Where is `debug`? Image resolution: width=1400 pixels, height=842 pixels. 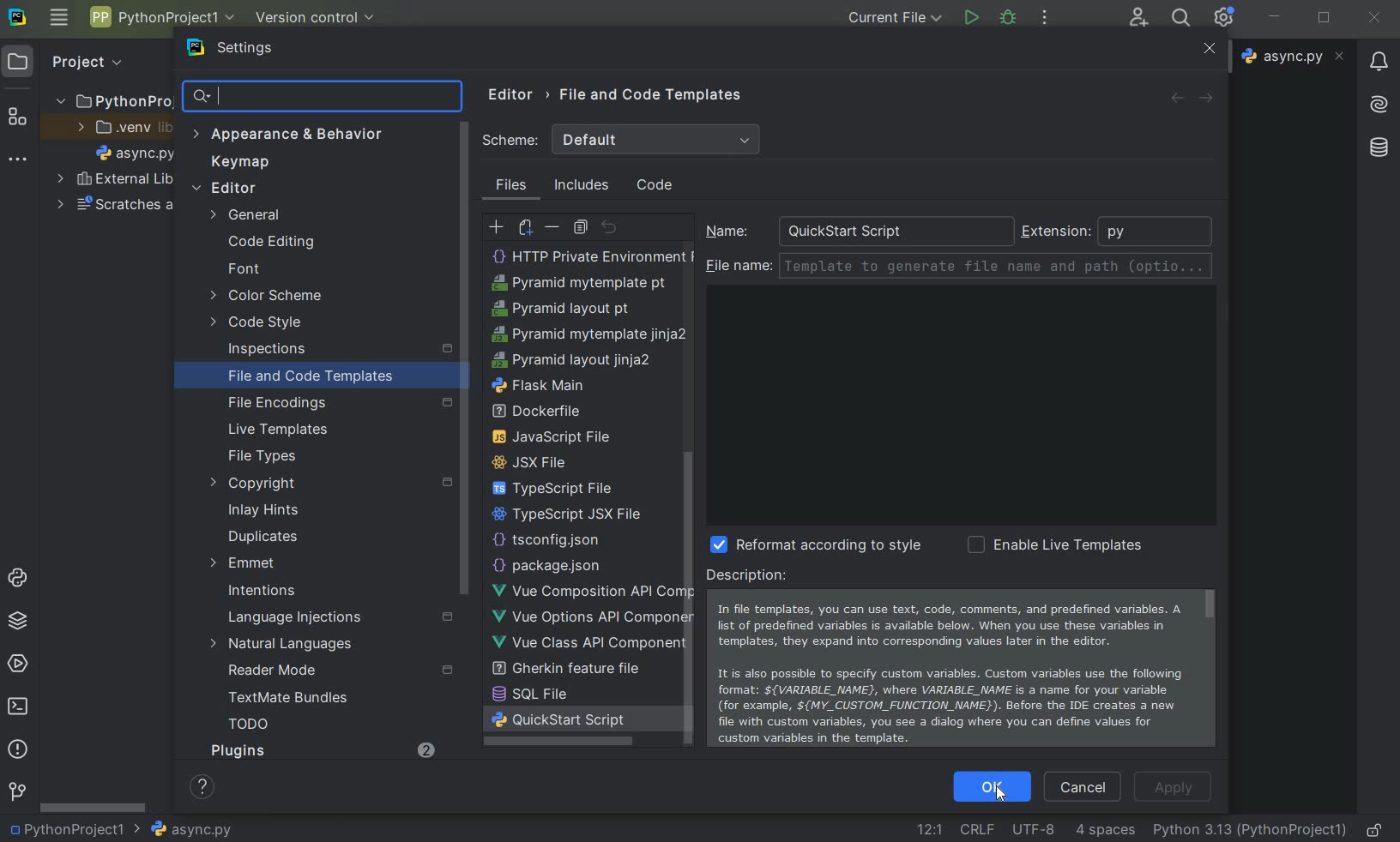
debug is located at coordinates (1007, 18).